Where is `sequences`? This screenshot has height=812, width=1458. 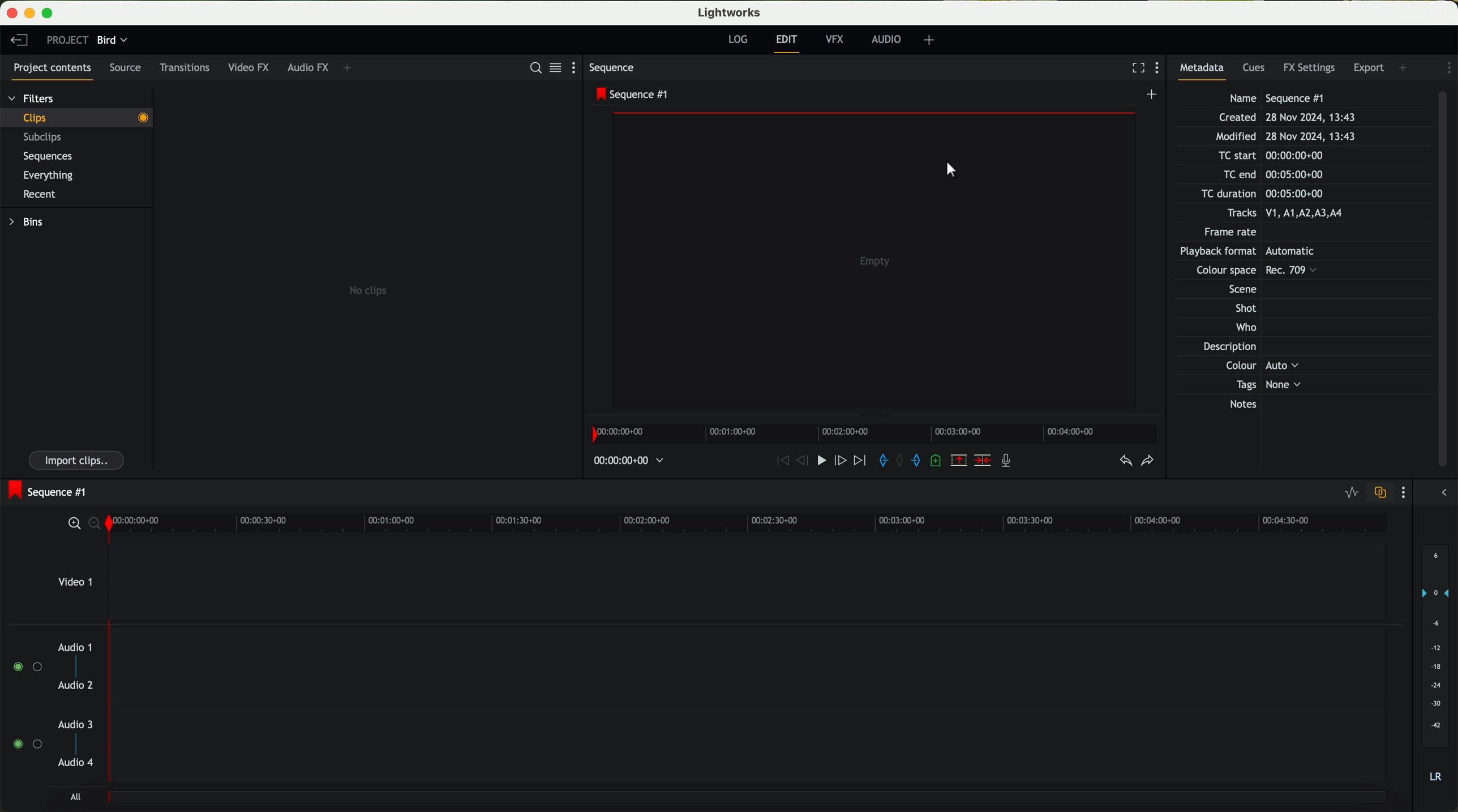 sequences is located at coordinates (52, 157).